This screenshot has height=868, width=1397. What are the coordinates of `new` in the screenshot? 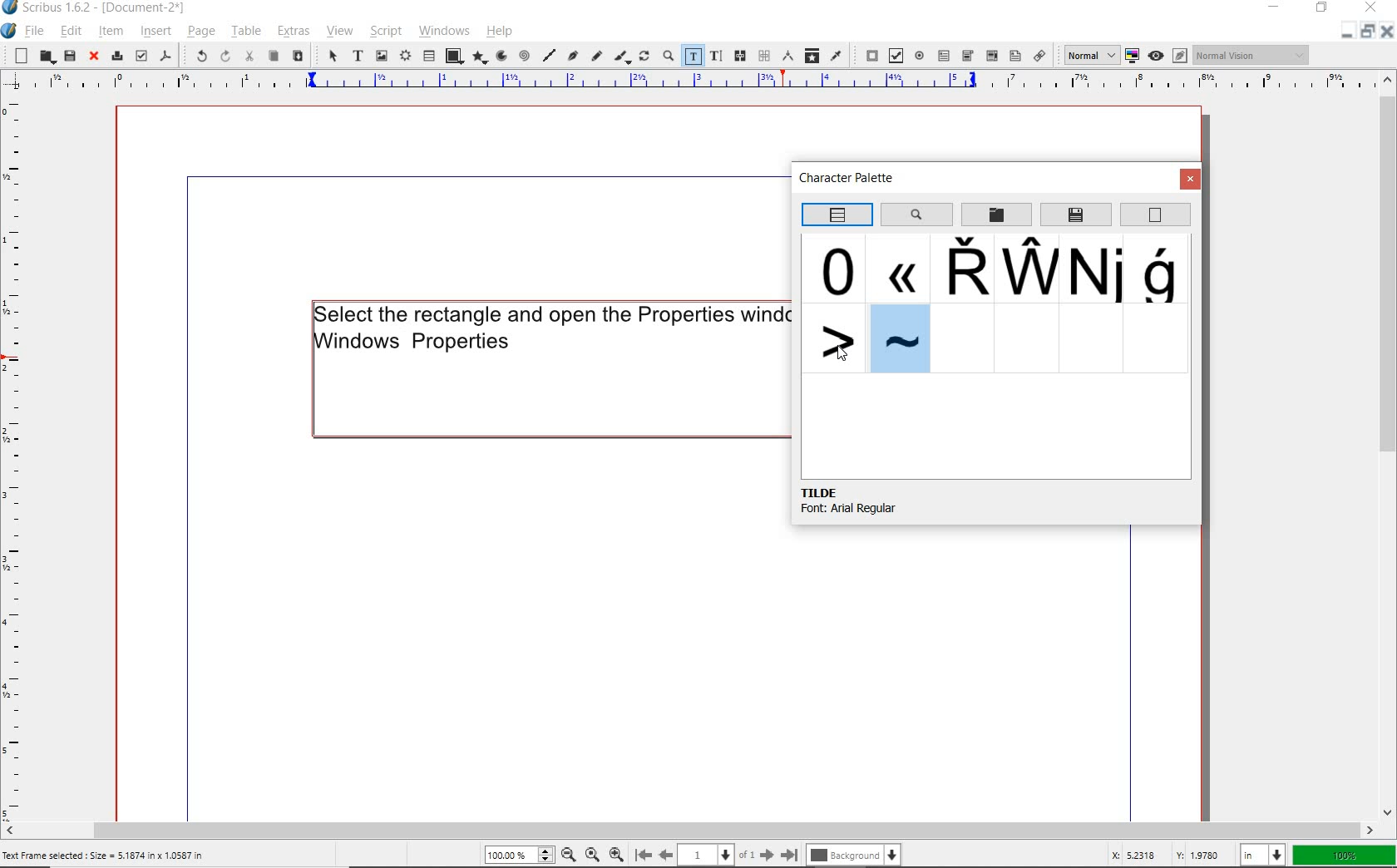 It's located at (17, 56).